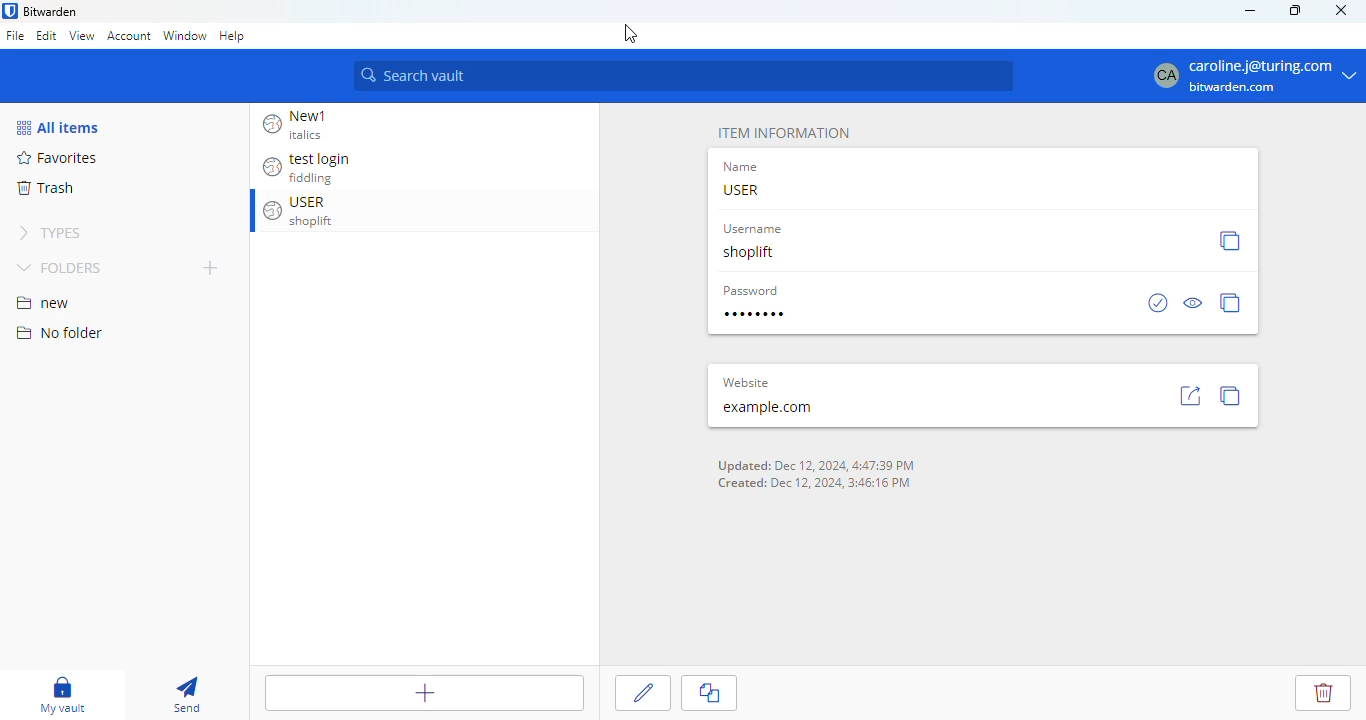 This screenshot has height=720, width=1366. Describe the element at coordinates (52, 11) in the screenshot. I see `bitwarden` at that location.